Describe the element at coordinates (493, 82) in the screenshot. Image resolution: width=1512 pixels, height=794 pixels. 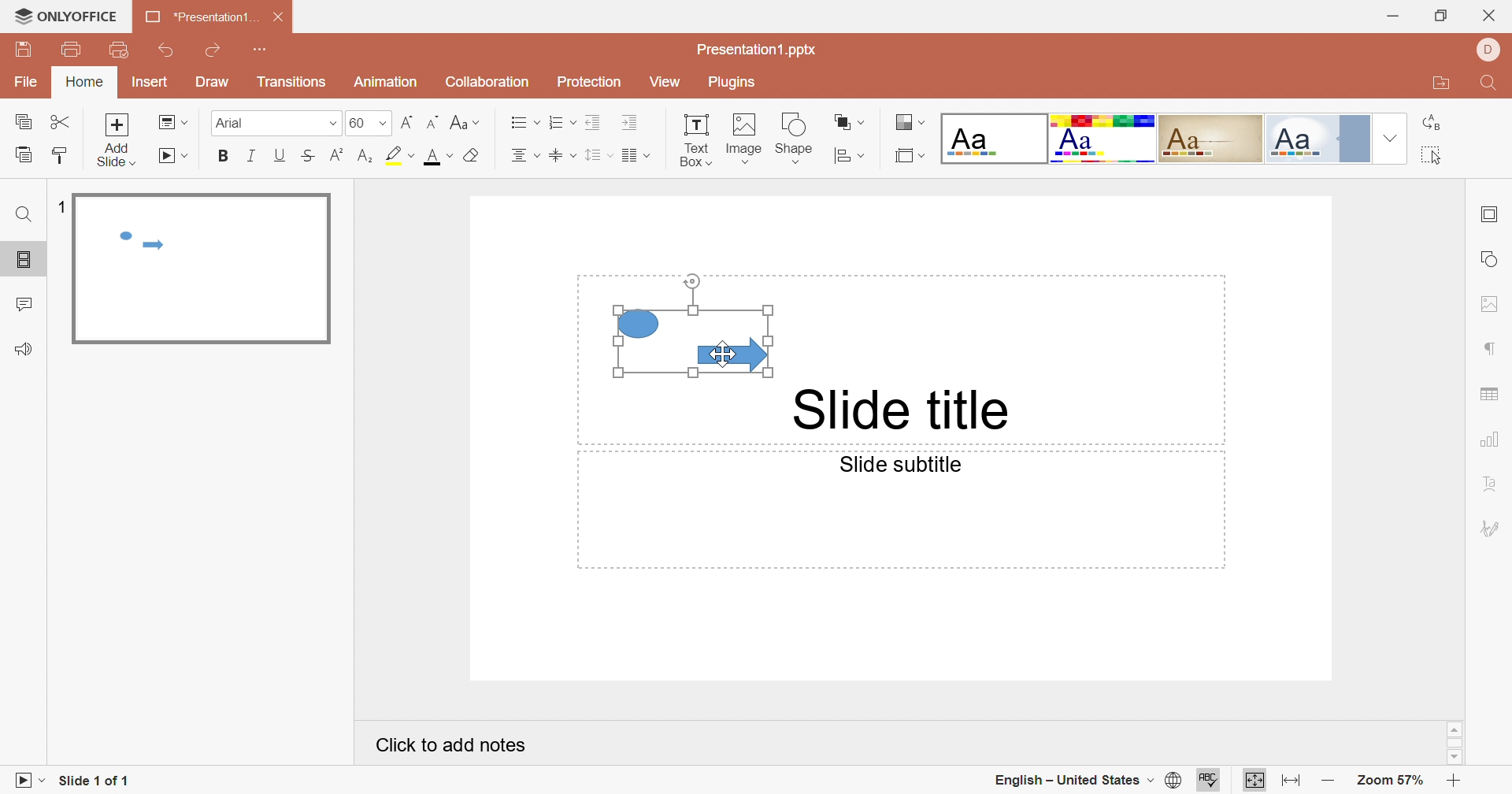
I see `Collaboration` at that location.